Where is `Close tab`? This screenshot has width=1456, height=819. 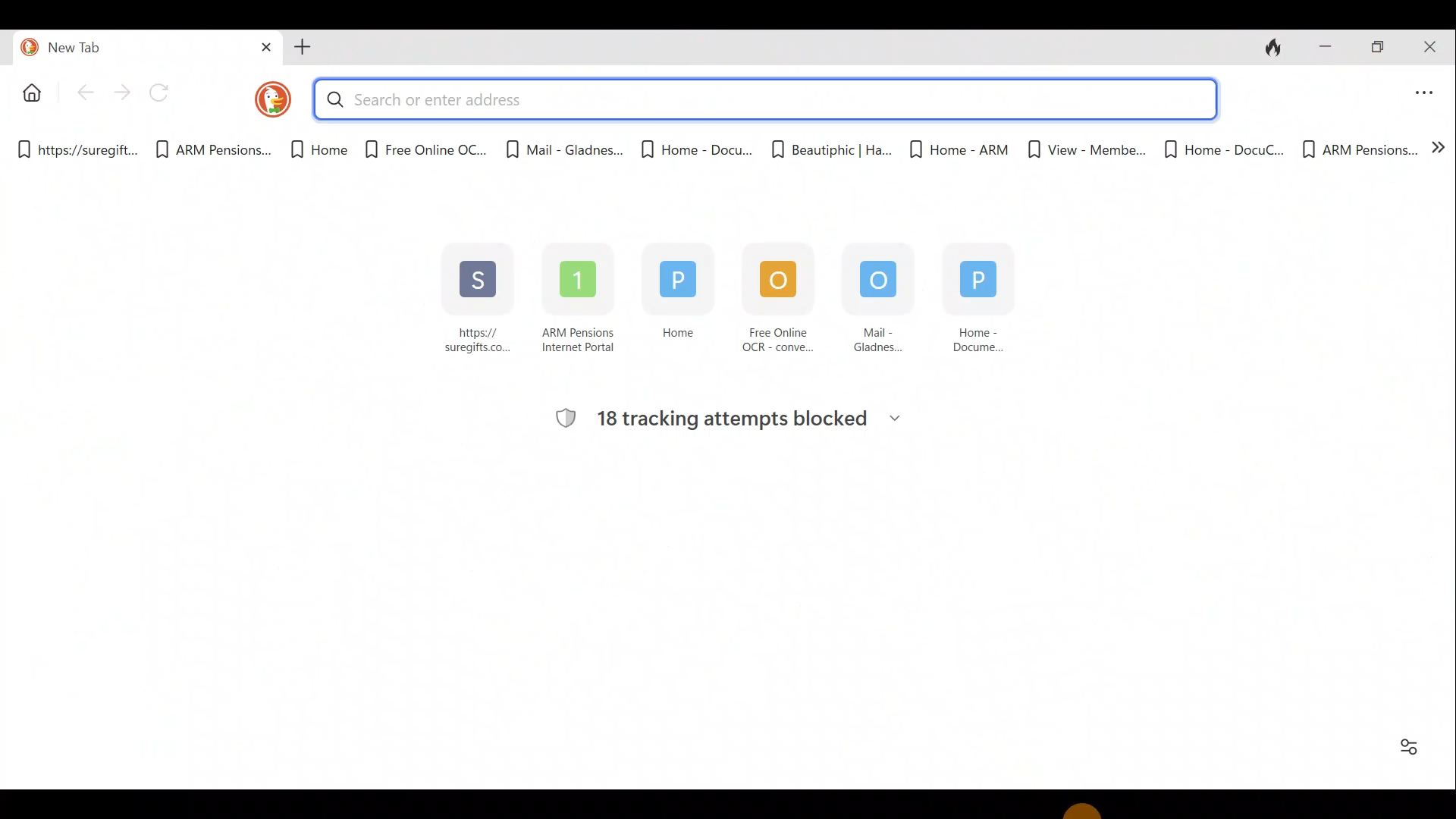 Close tab is located at coordinates (262, 50).